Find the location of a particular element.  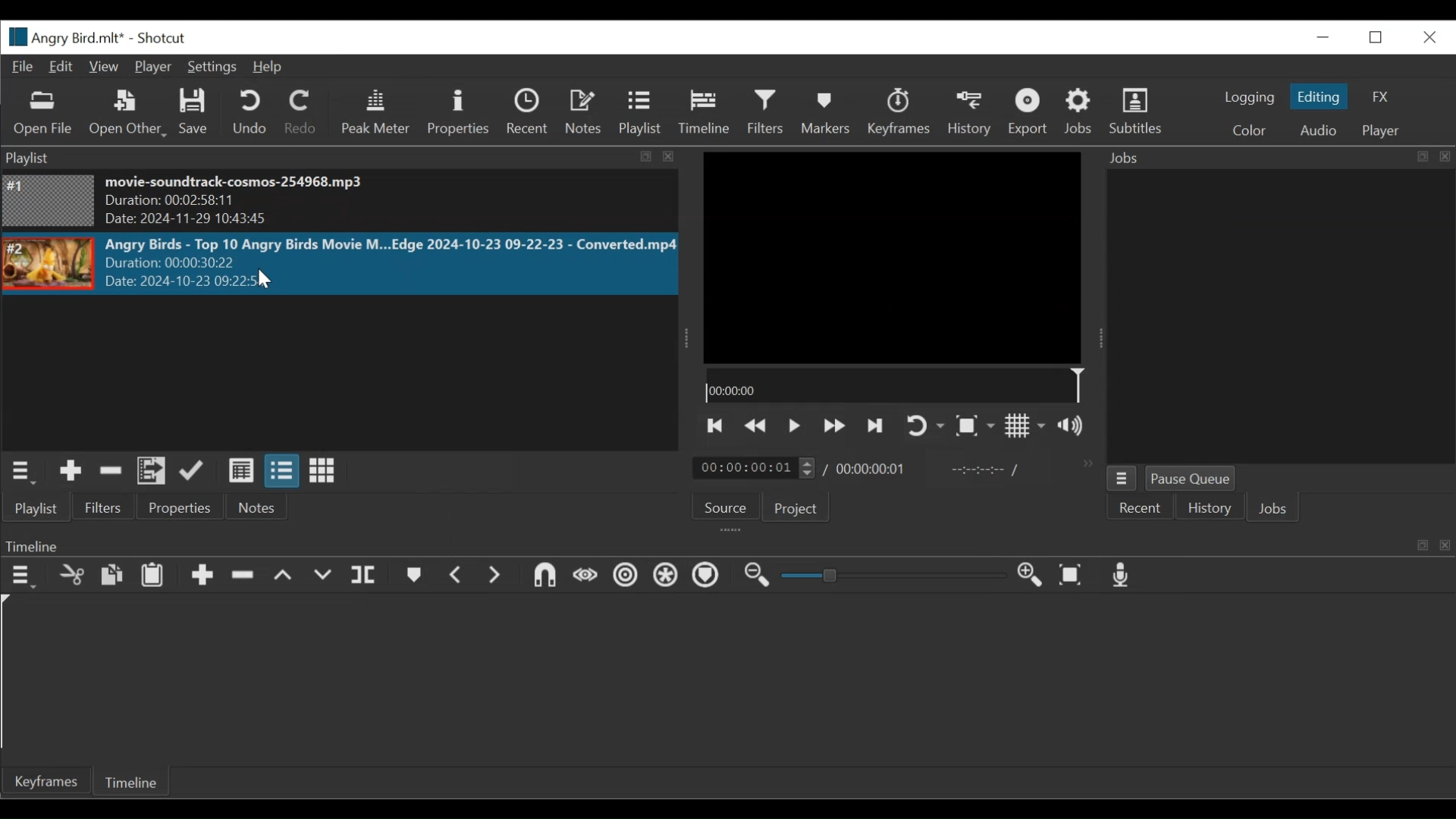

Record audio is located at coordinates (1122, 576).